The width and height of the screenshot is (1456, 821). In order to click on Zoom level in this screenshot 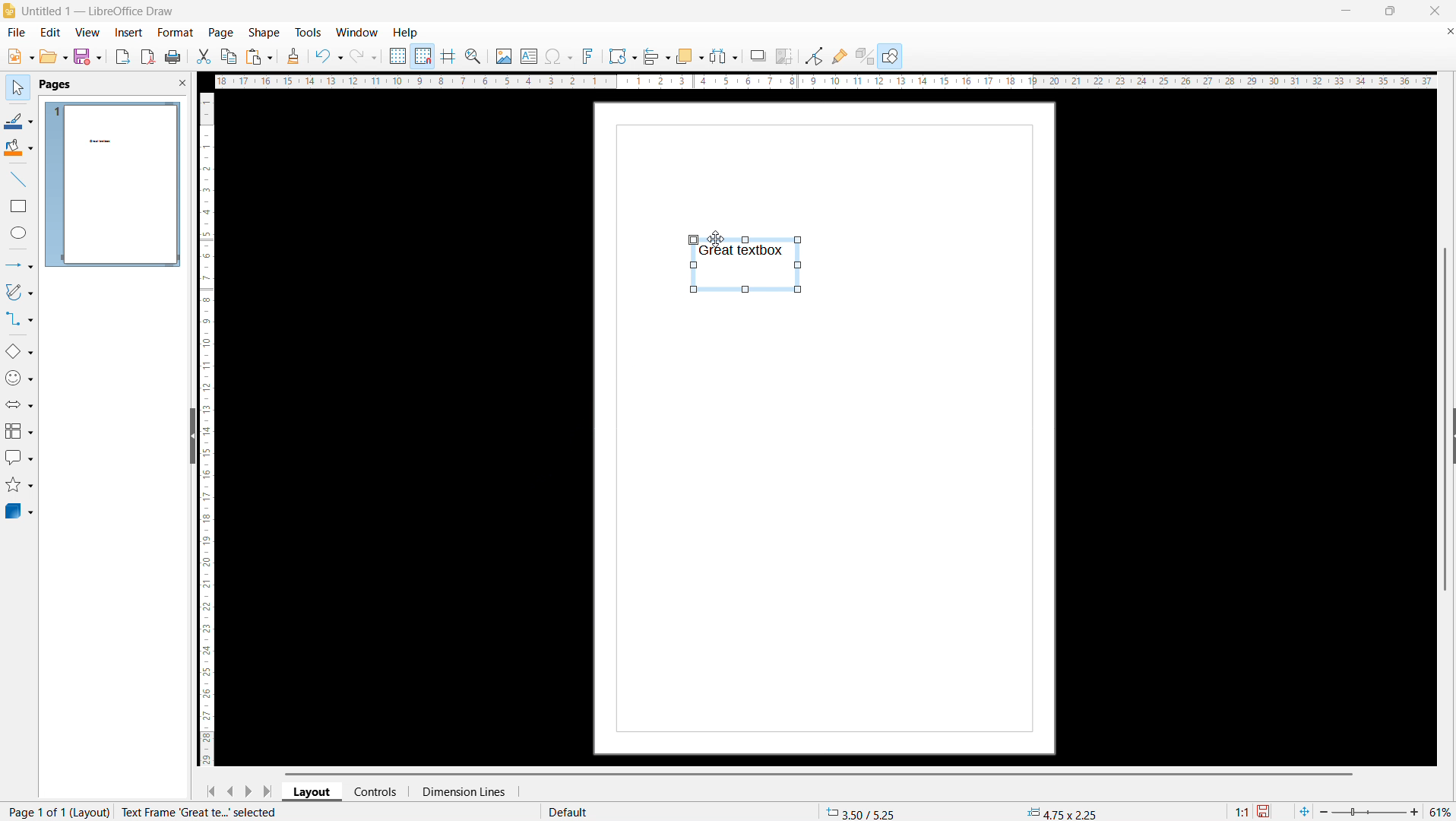, I will do `click(1442, 813)`.